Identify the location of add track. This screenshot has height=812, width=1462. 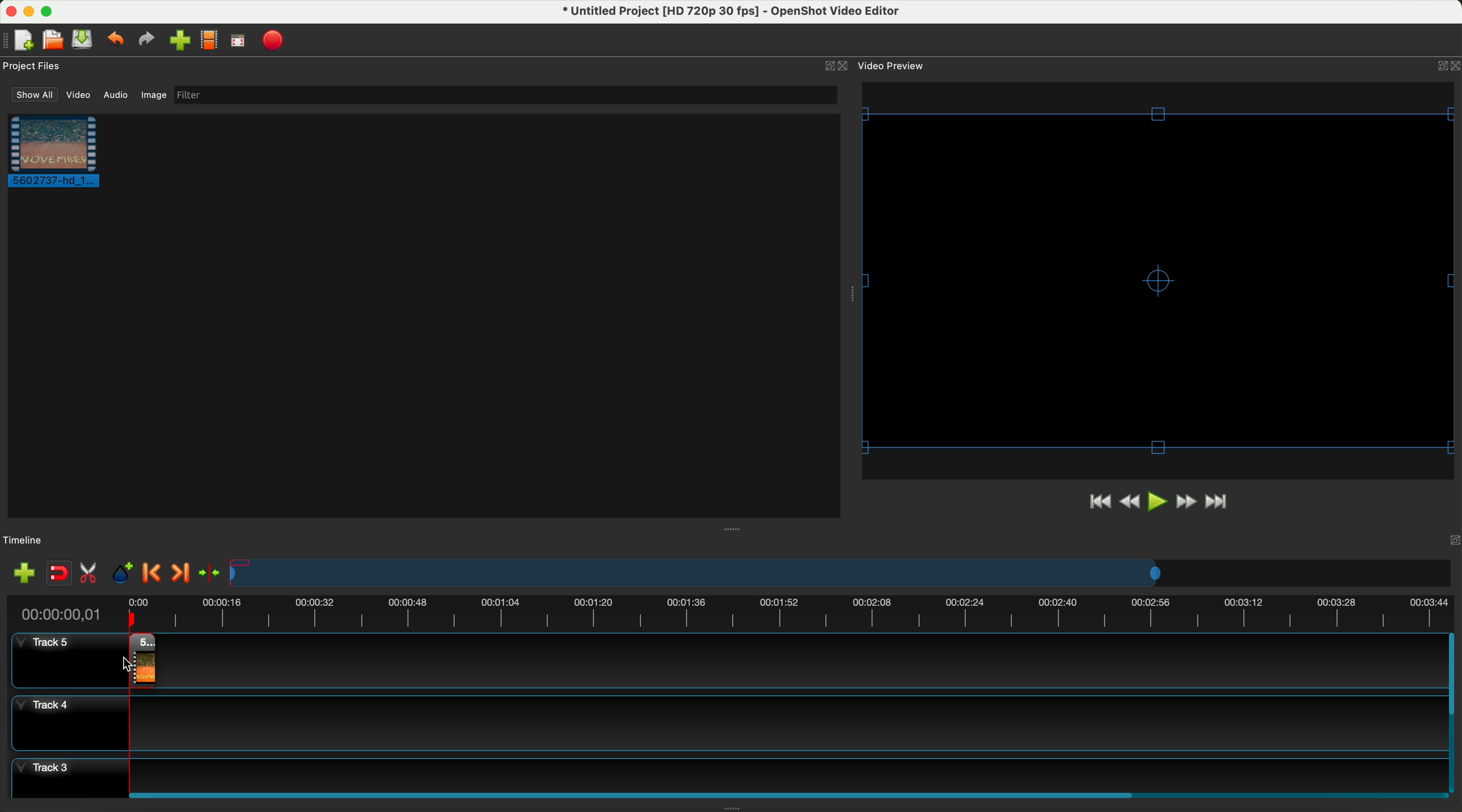
(24, 573).